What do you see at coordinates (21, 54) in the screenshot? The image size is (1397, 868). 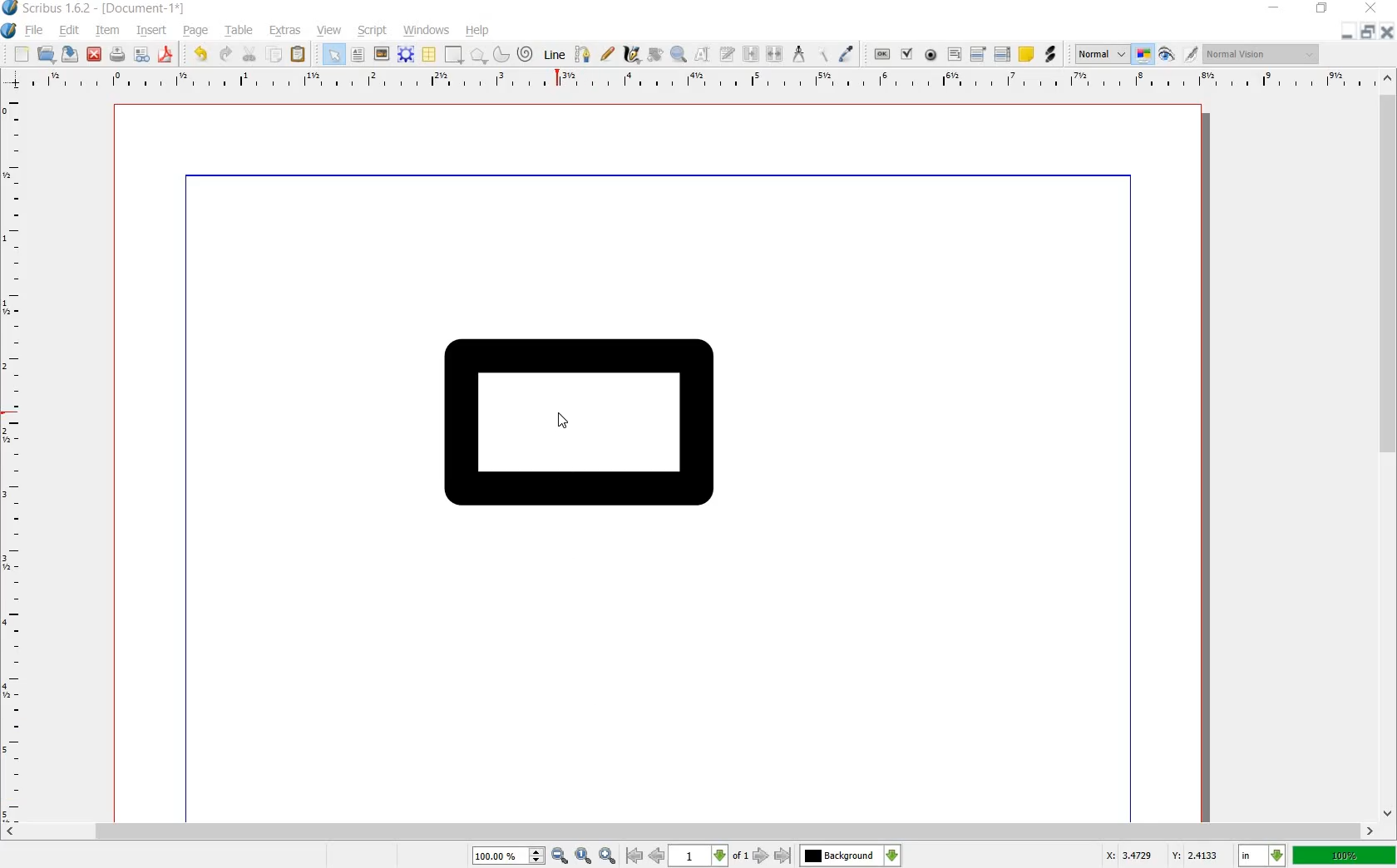 I see `new` at bounding box center [21, 54].